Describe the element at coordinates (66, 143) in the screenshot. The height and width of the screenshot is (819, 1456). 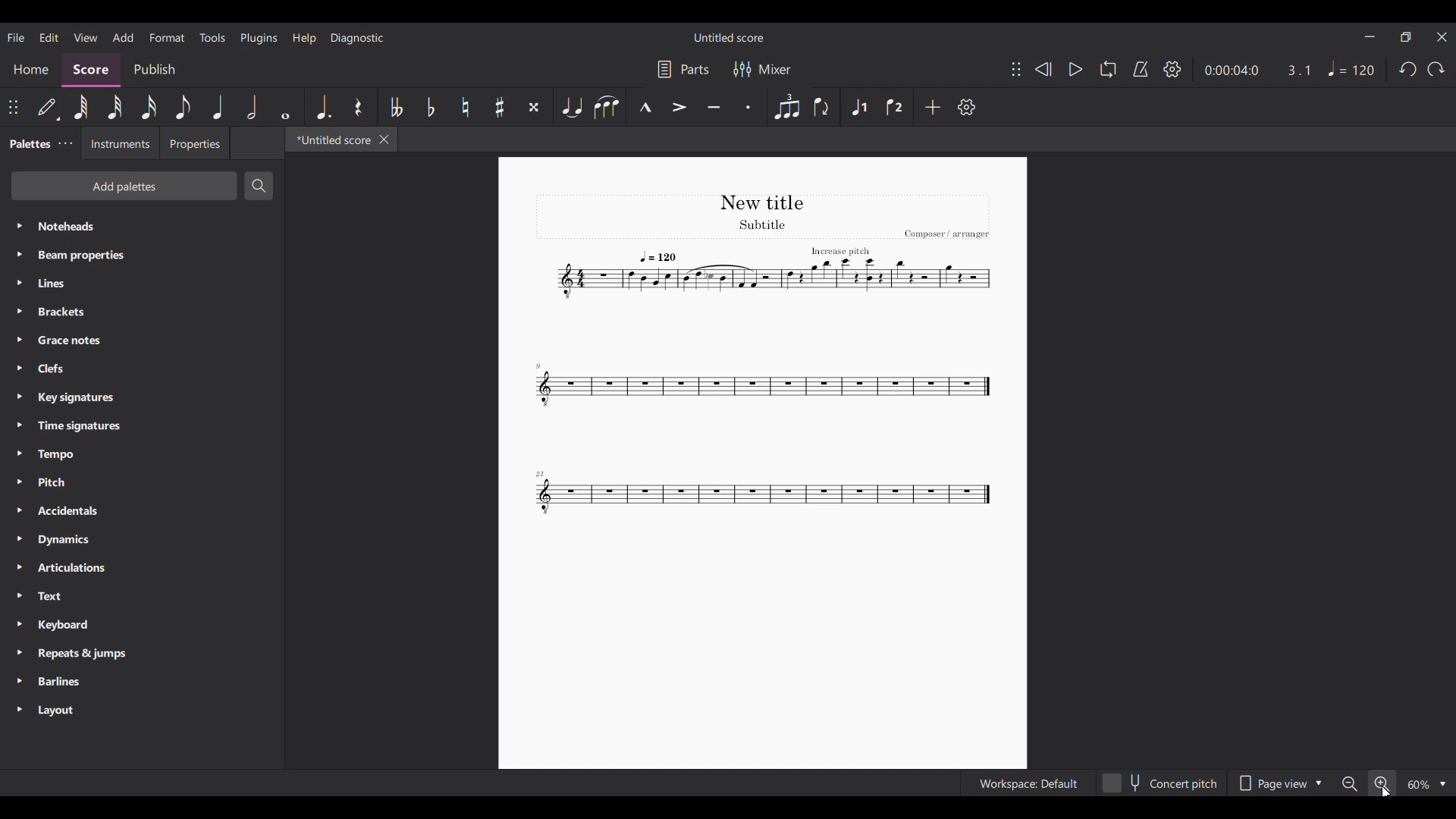
I see `Palette settings` at that location.